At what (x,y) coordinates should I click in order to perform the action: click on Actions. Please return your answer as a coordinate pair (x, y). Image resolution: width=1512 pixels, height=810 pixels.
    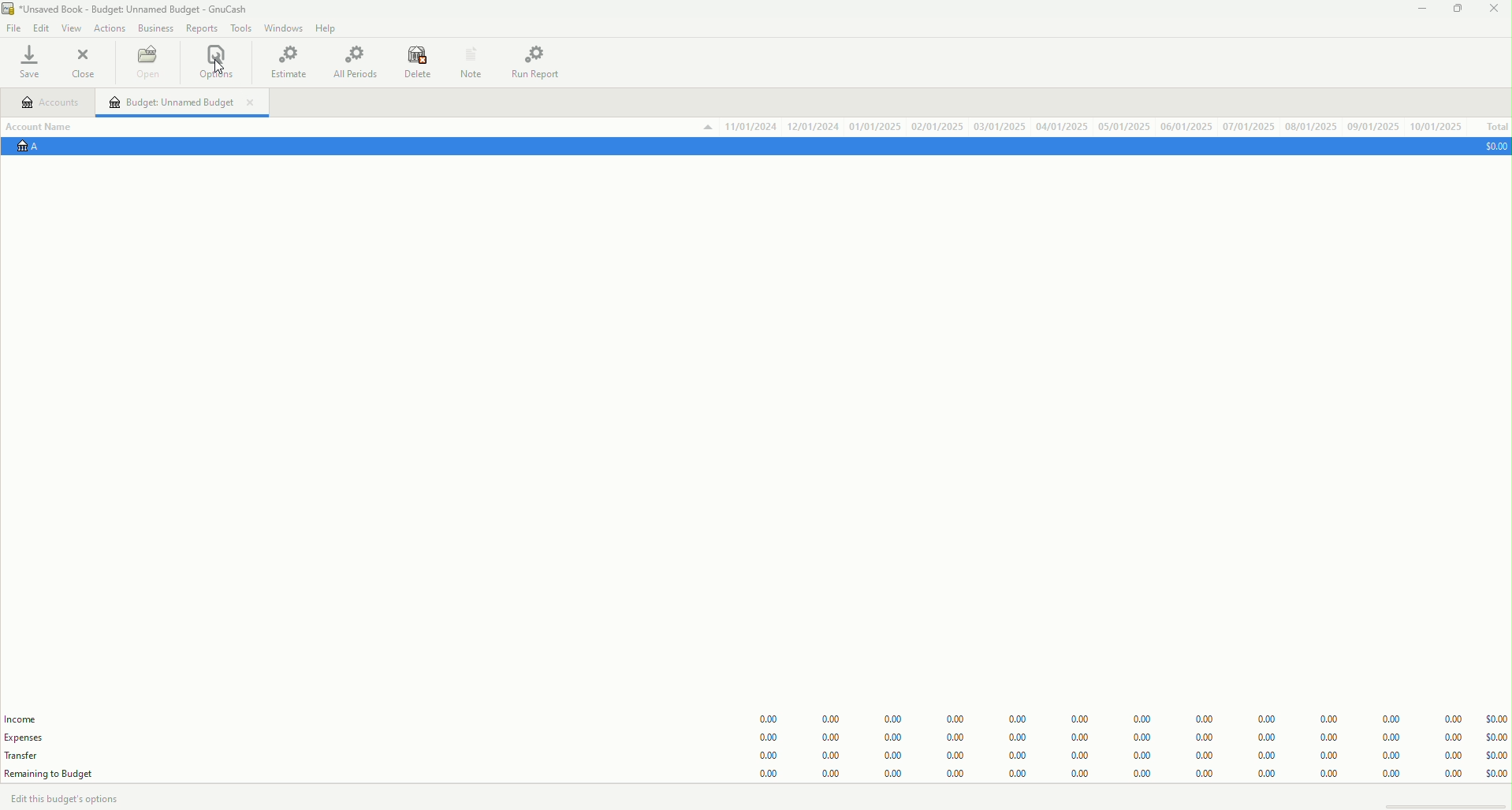
    Looking at the image, I should click on (109, 28).